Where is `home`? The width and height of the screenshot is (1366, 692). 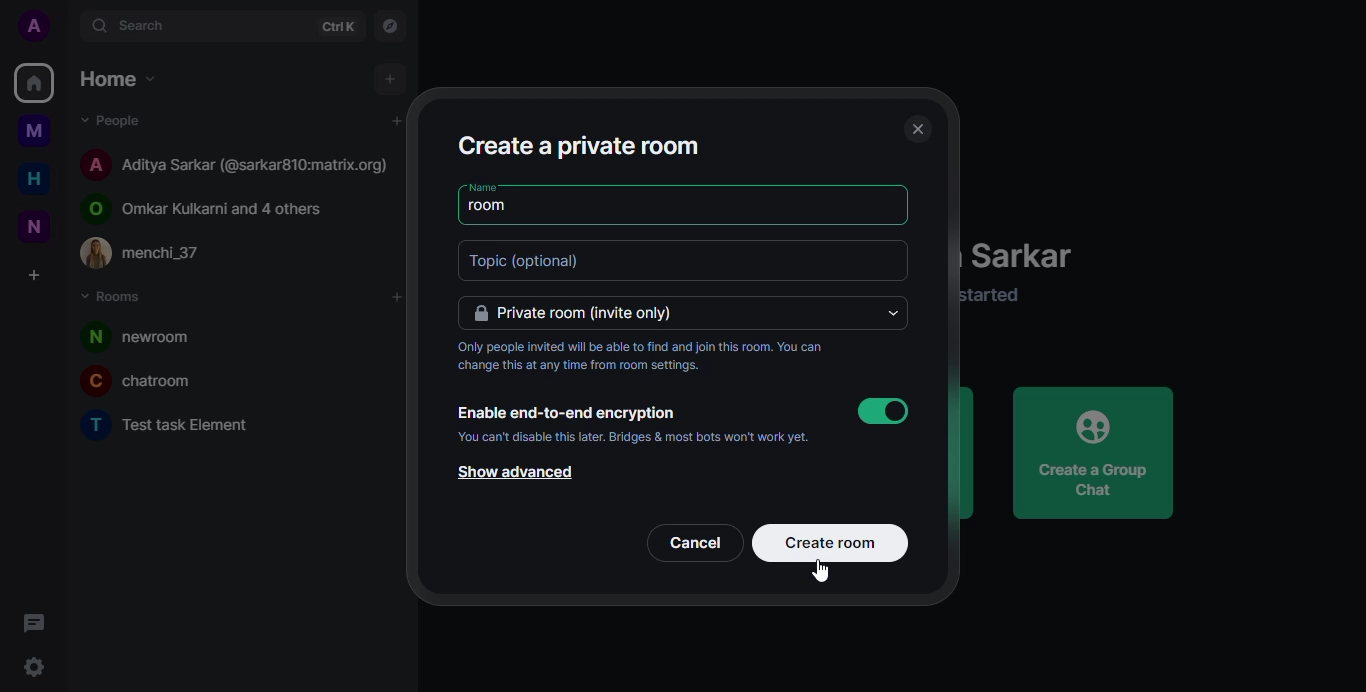 home is located at coordinates (34, 82).